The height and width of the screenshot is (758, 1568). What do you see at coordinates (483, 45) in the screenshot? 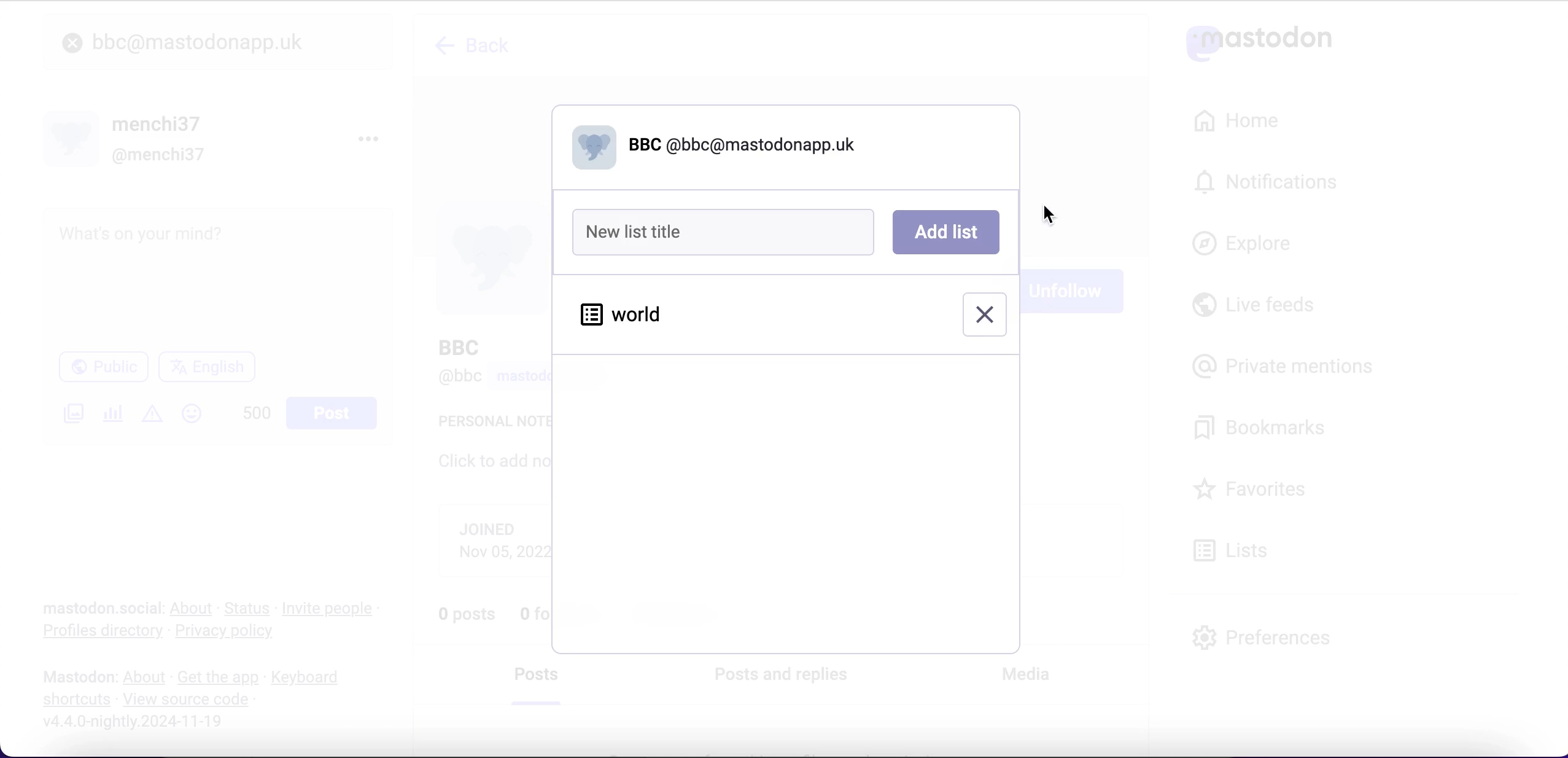
I see `back` at bounding box center [483, 45].